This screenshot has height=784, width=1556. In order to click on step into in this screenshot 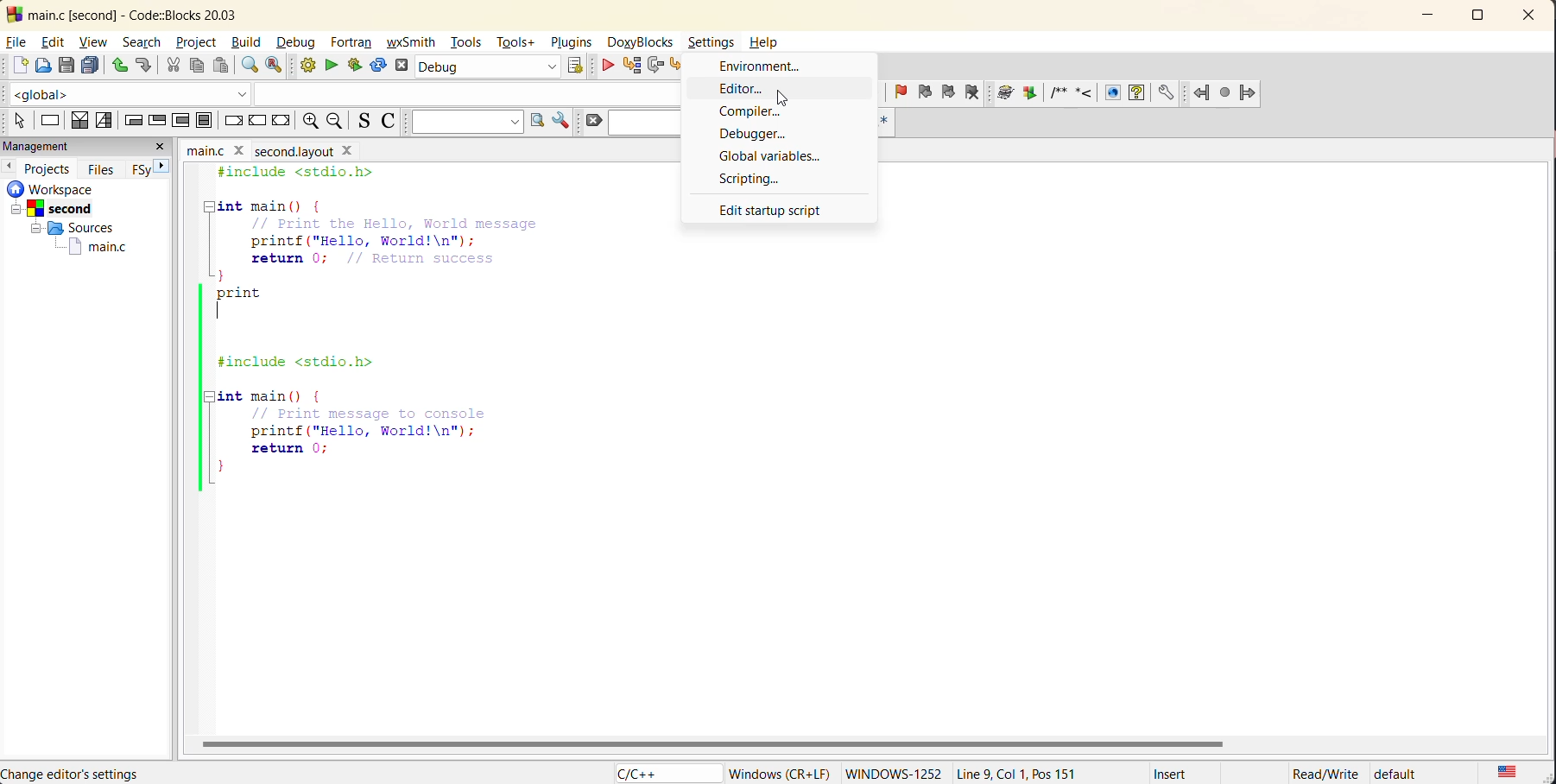, I will do `click(681, 66)`.